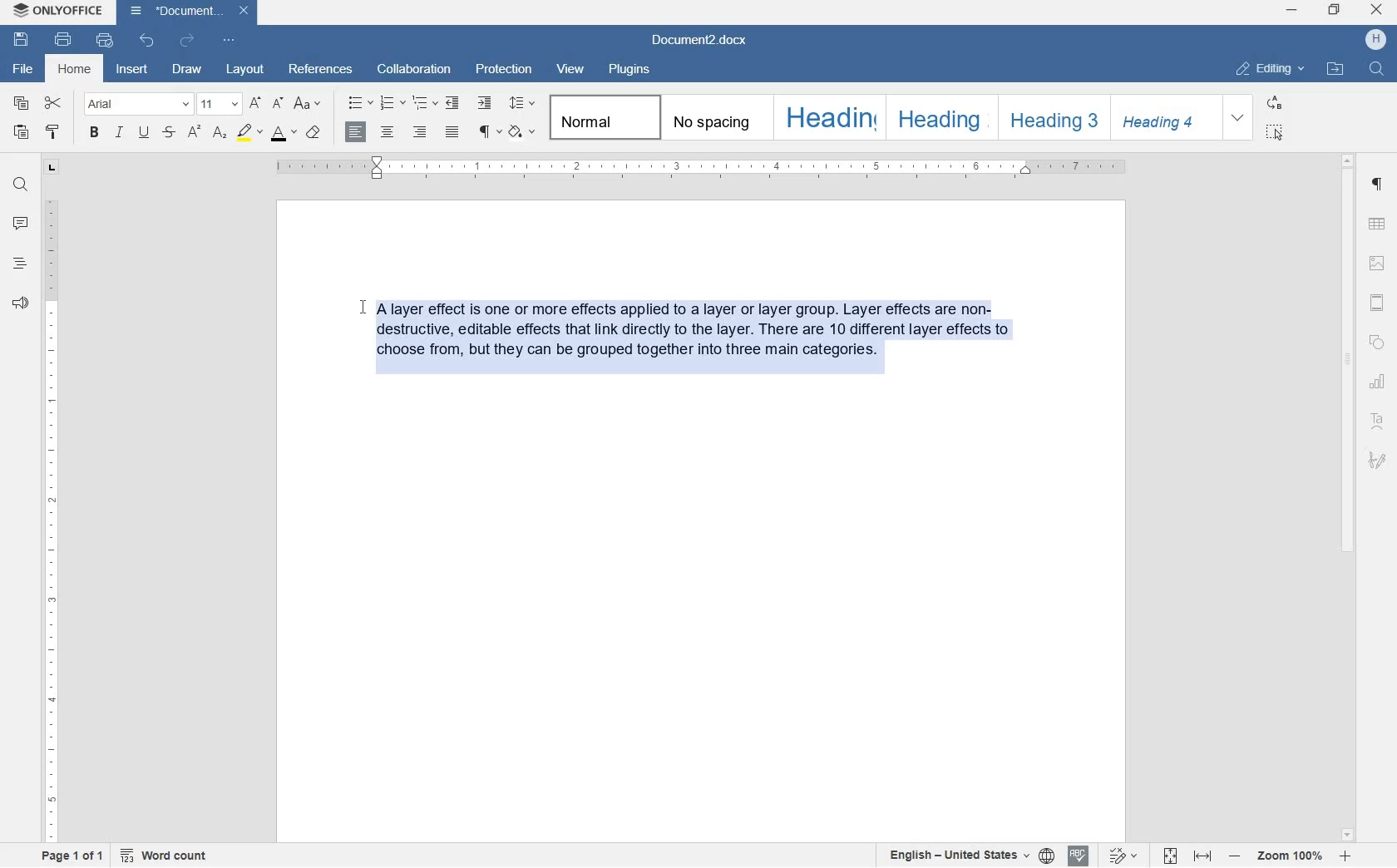 This screenshot has height=868, width=1397. What do you see at coordinates (704, 42) in the screenshot?
I see `file name` at bounding box center [704, 42].